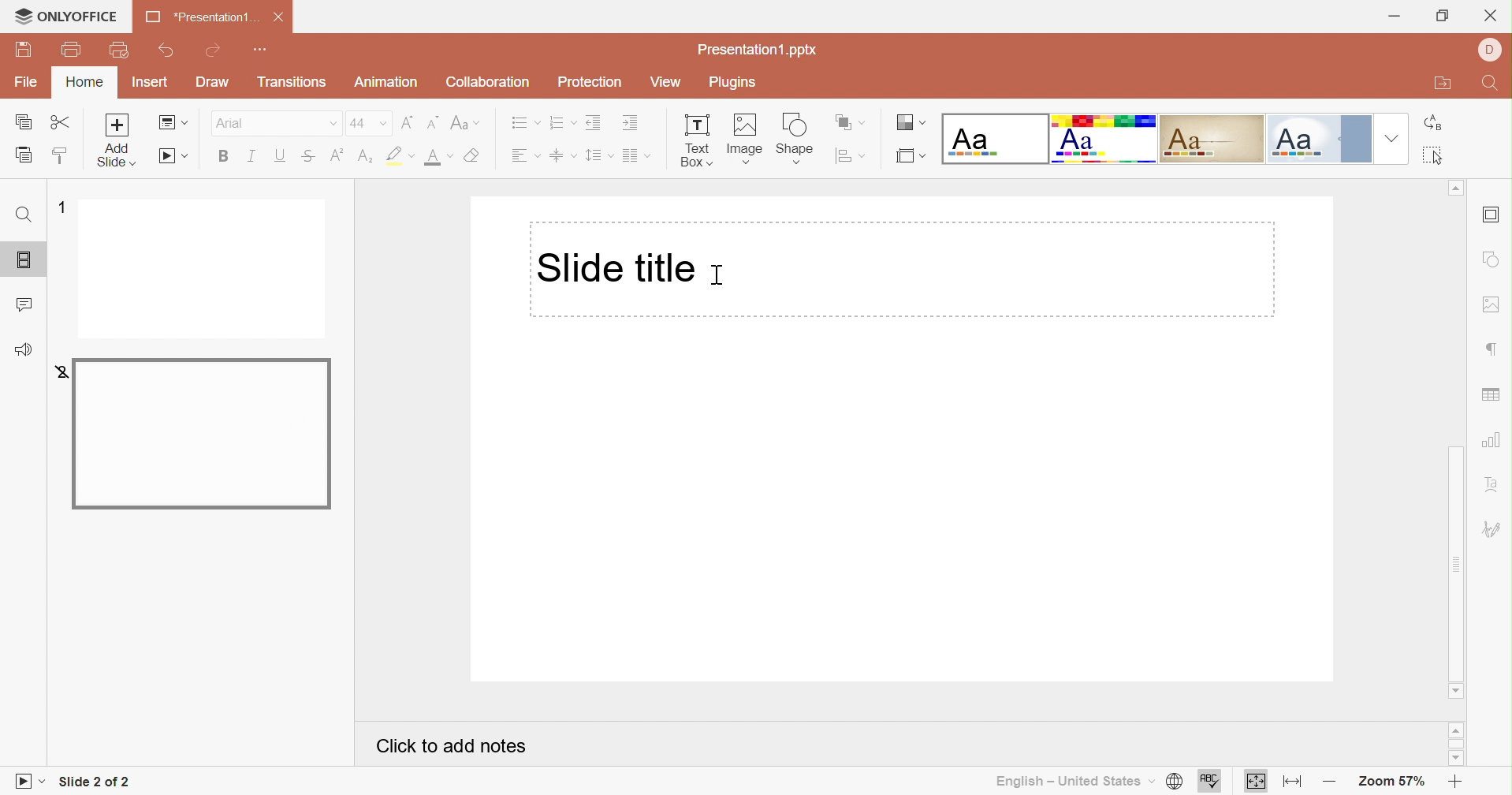 This screenshot has width=1512, height=795. I want to click on Underline, so click(283, 155).